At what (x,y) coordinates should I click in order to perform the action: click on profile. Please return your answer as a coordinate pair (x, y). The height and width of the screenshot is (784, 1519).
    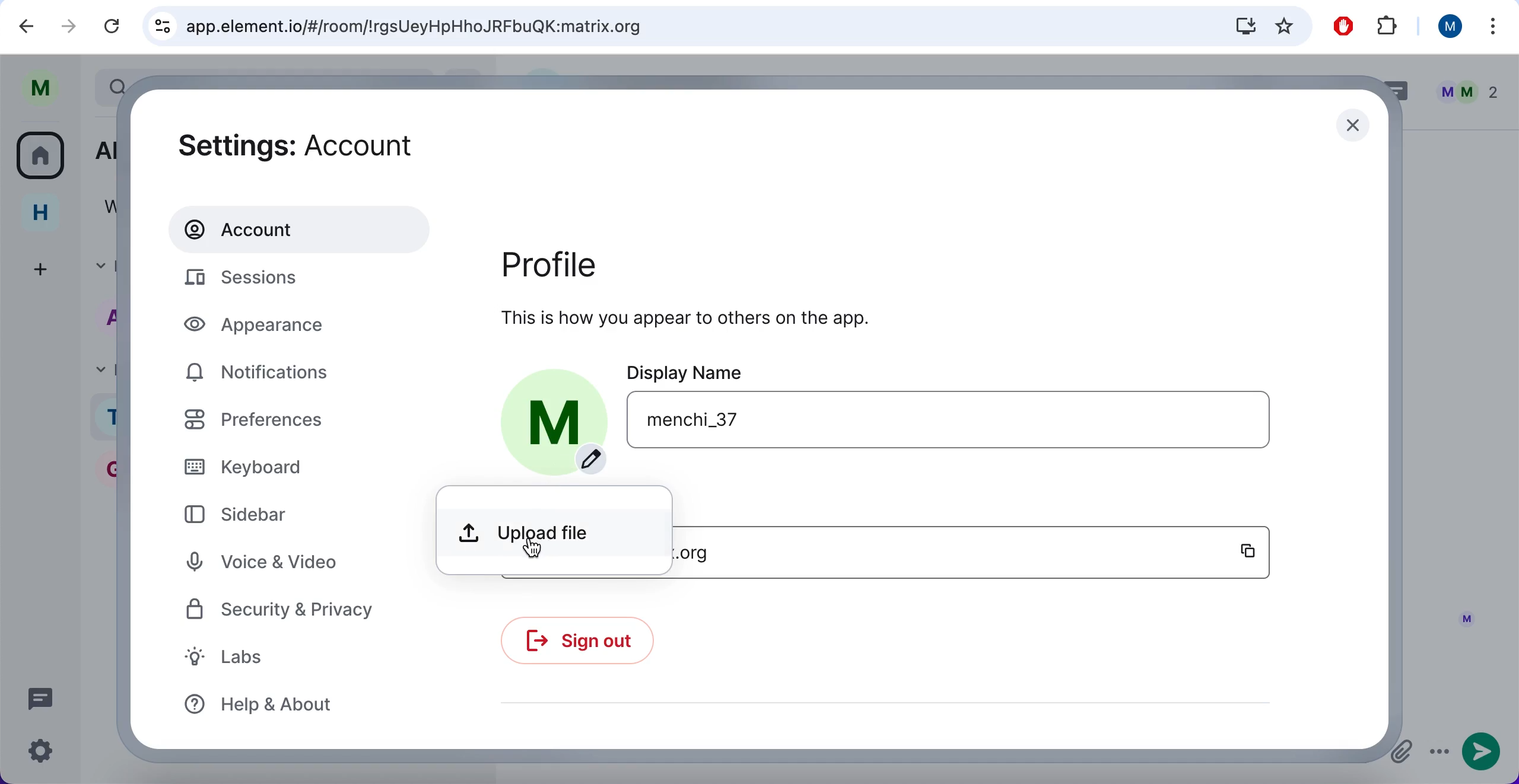
    Looking at the image, I should click on (593, 266).